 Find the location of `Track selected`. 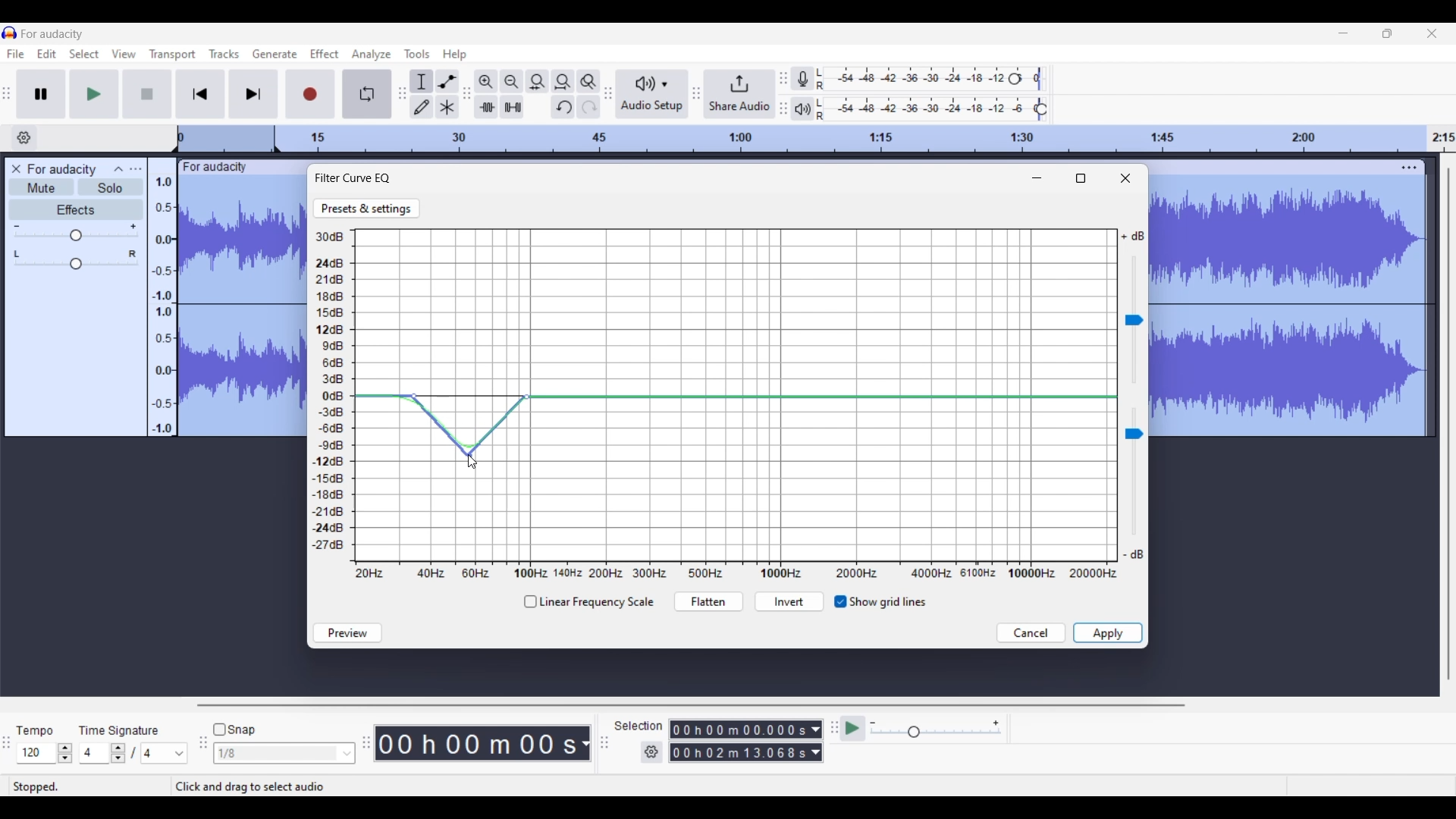

Track selected is located at coordinates (243, 307).